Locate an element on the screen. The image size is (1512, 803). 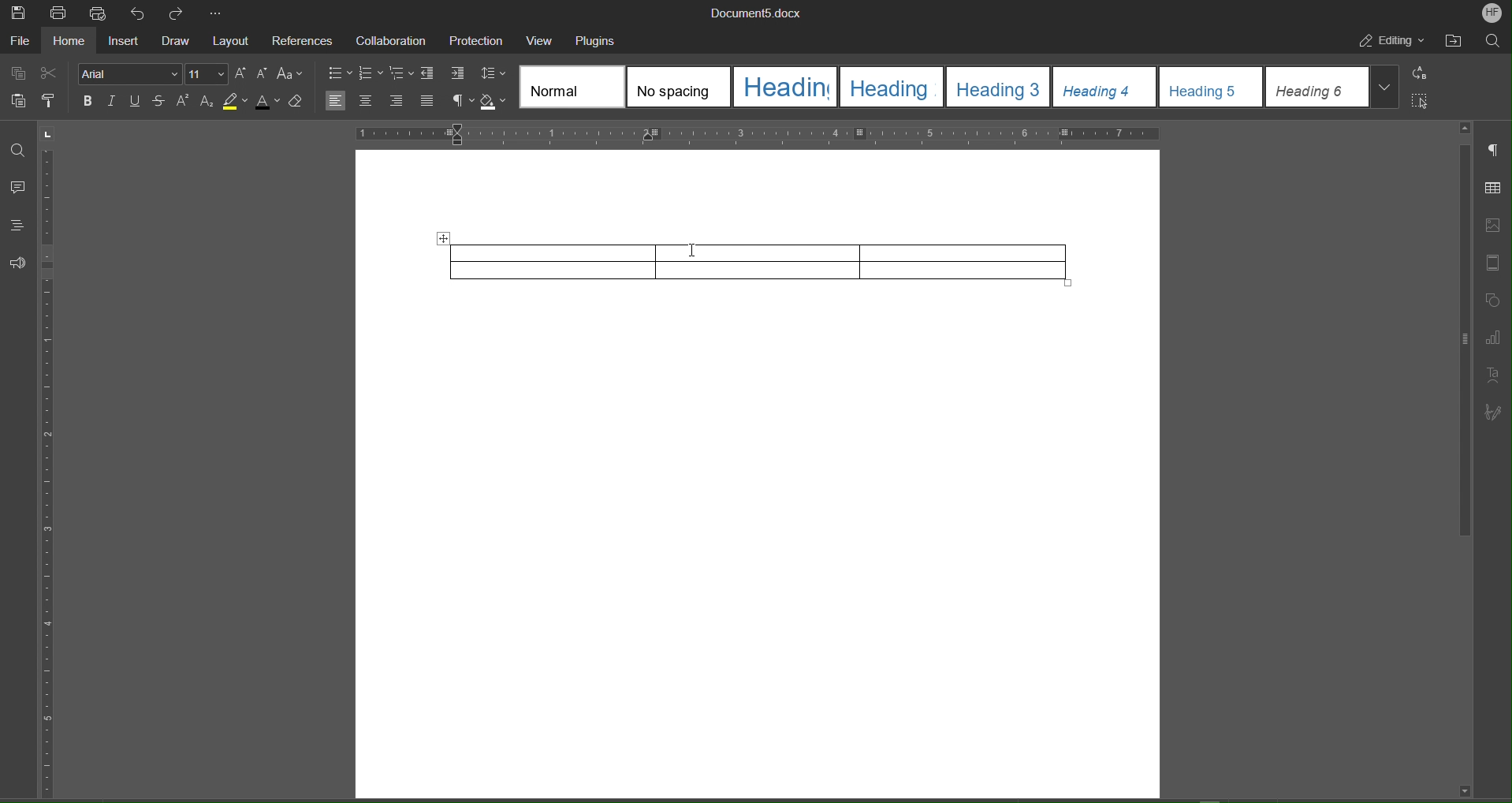
Redo is located at coordinates (182, 13).